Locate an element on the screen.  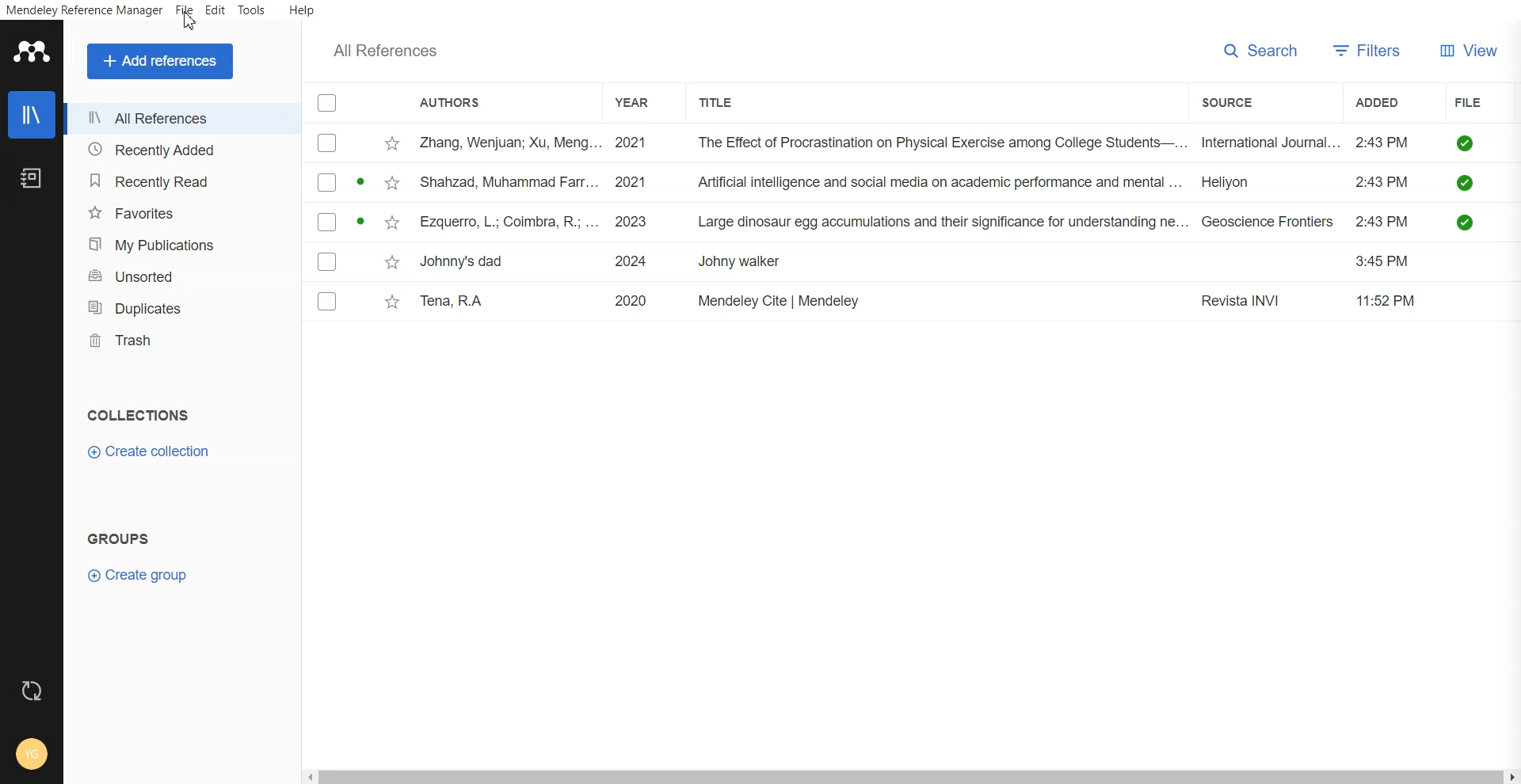
checkbox is located at coordinates (326, 261).